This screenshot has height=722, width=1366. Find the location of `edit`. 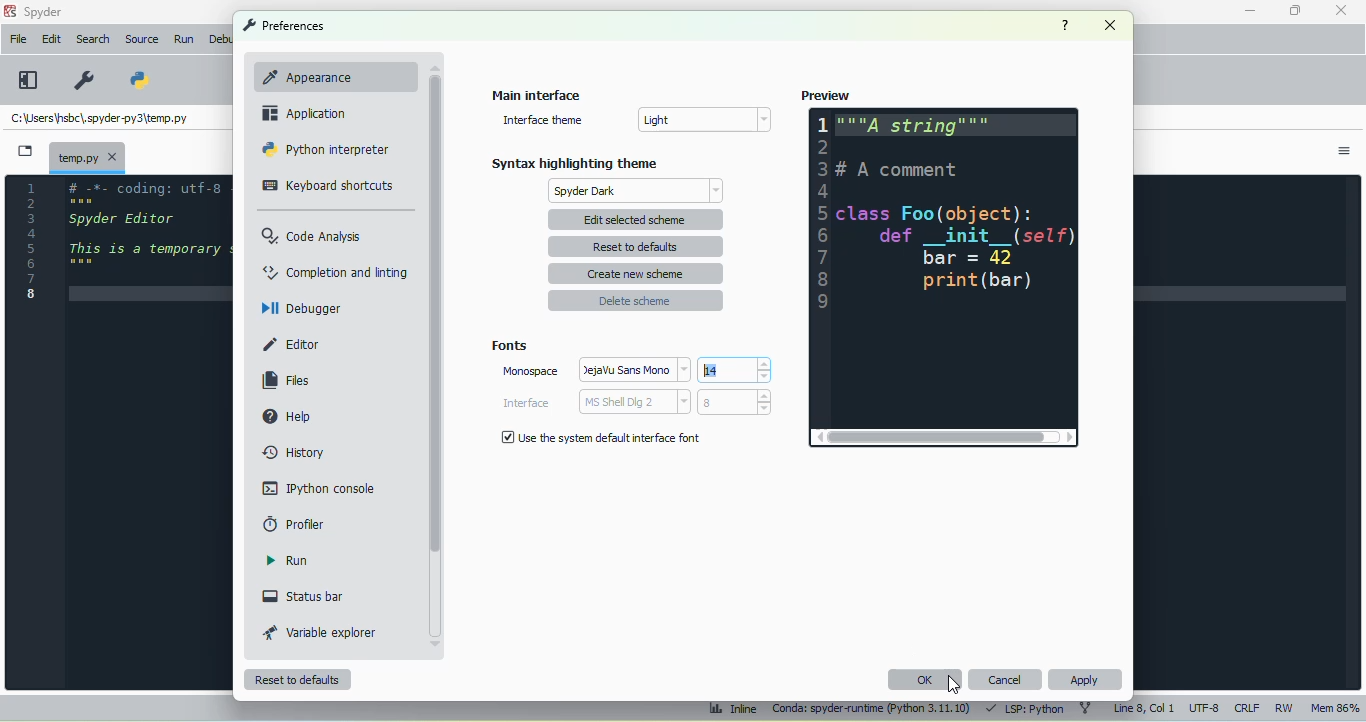

edit is located at coordinates (53, 39).